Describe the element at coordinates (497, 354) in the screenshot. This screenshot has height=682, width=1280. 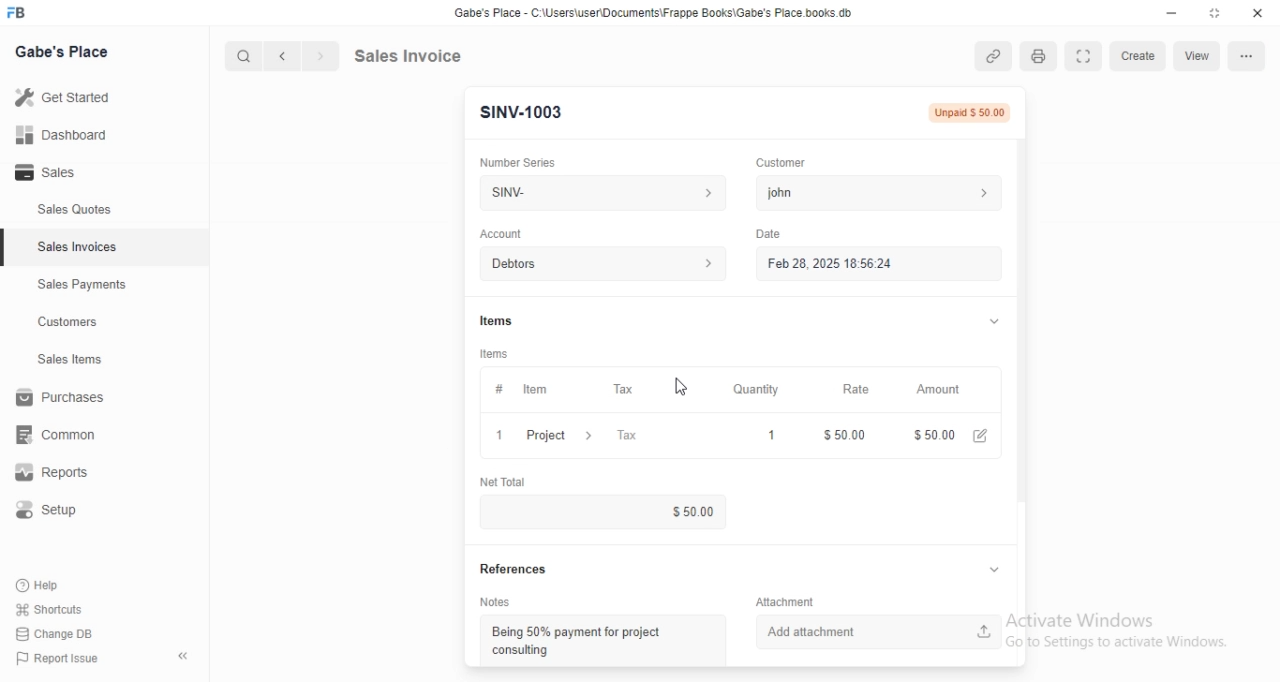
I see `tems` at that location.